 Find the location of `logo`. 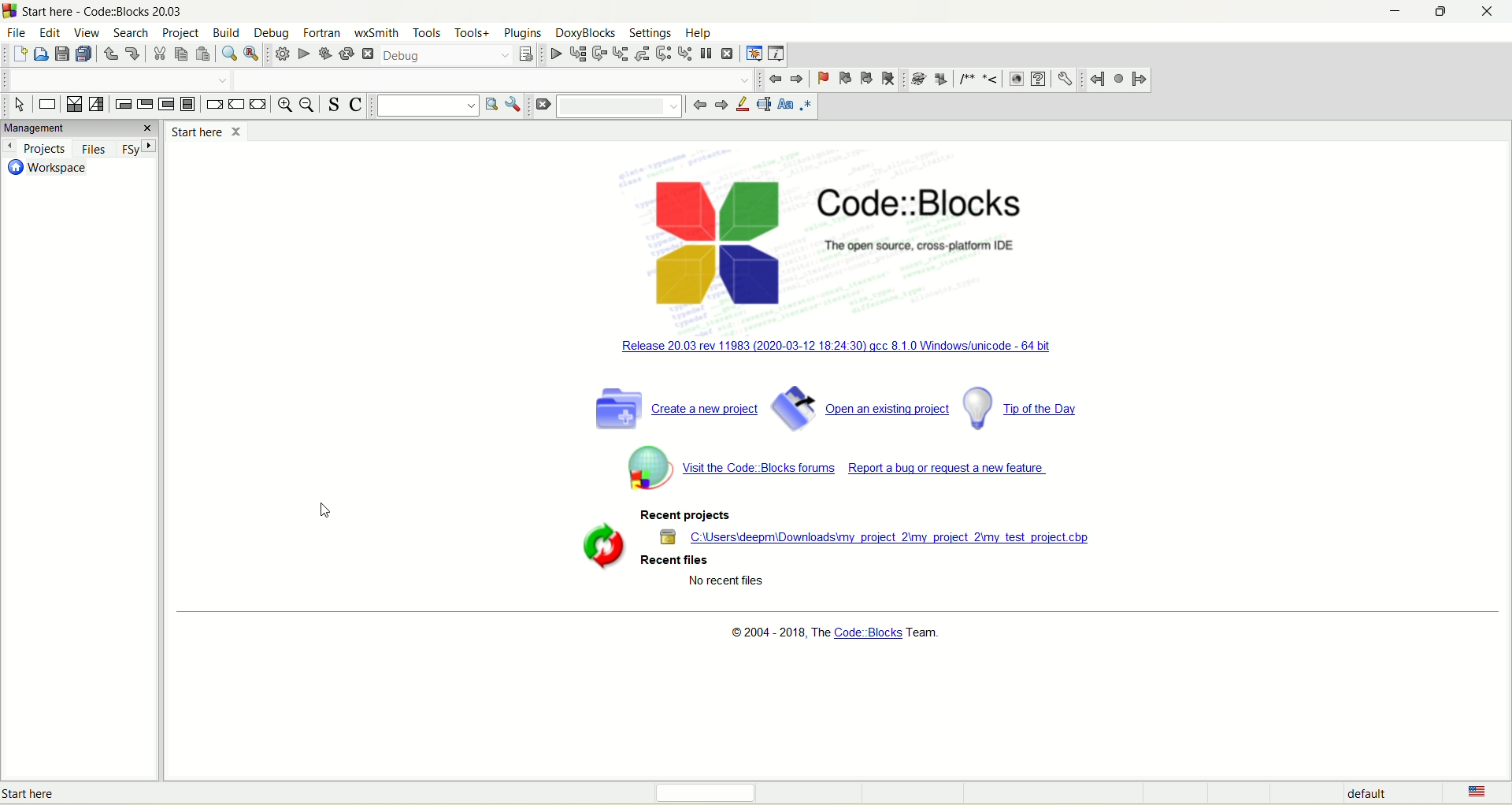

logo is located at coordinates (9, 12).